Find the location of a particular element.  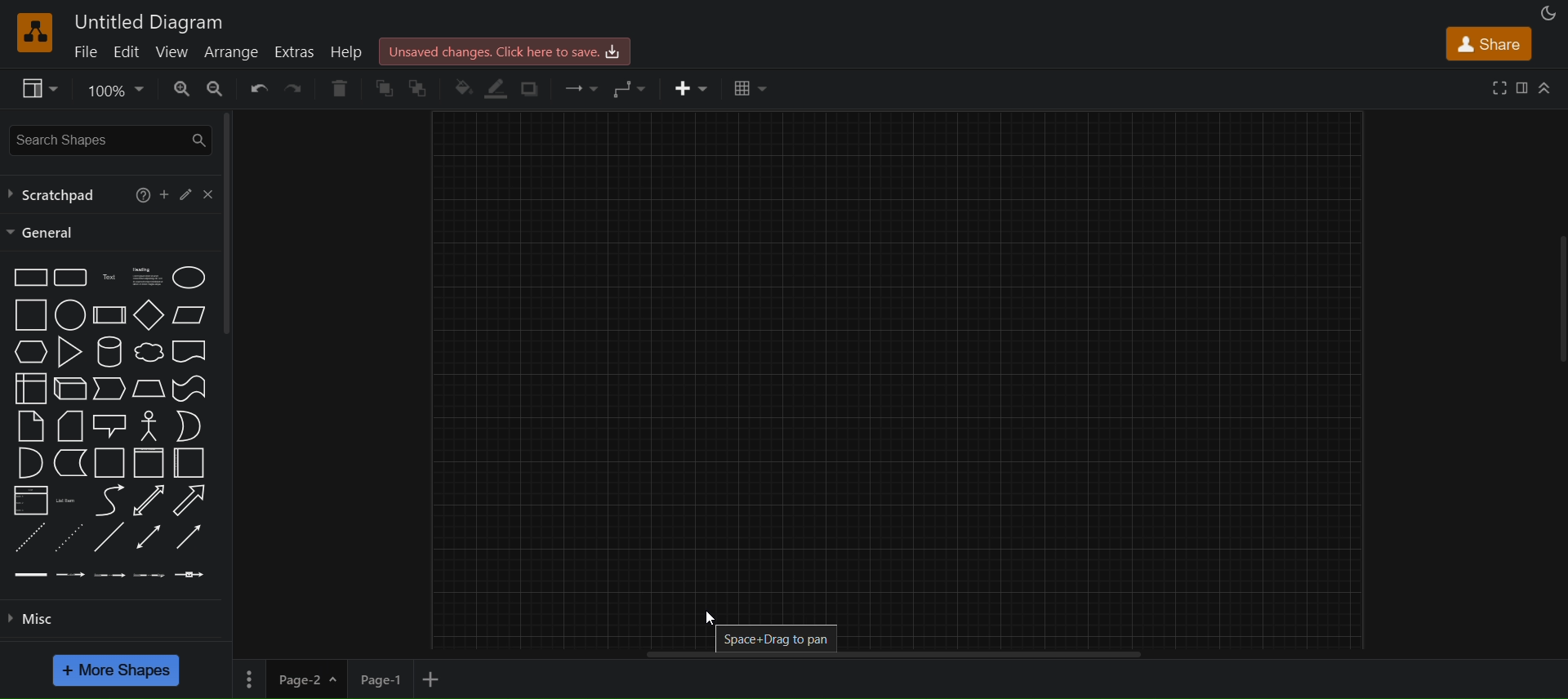

trapezoid is located at coordinates (147, 389).